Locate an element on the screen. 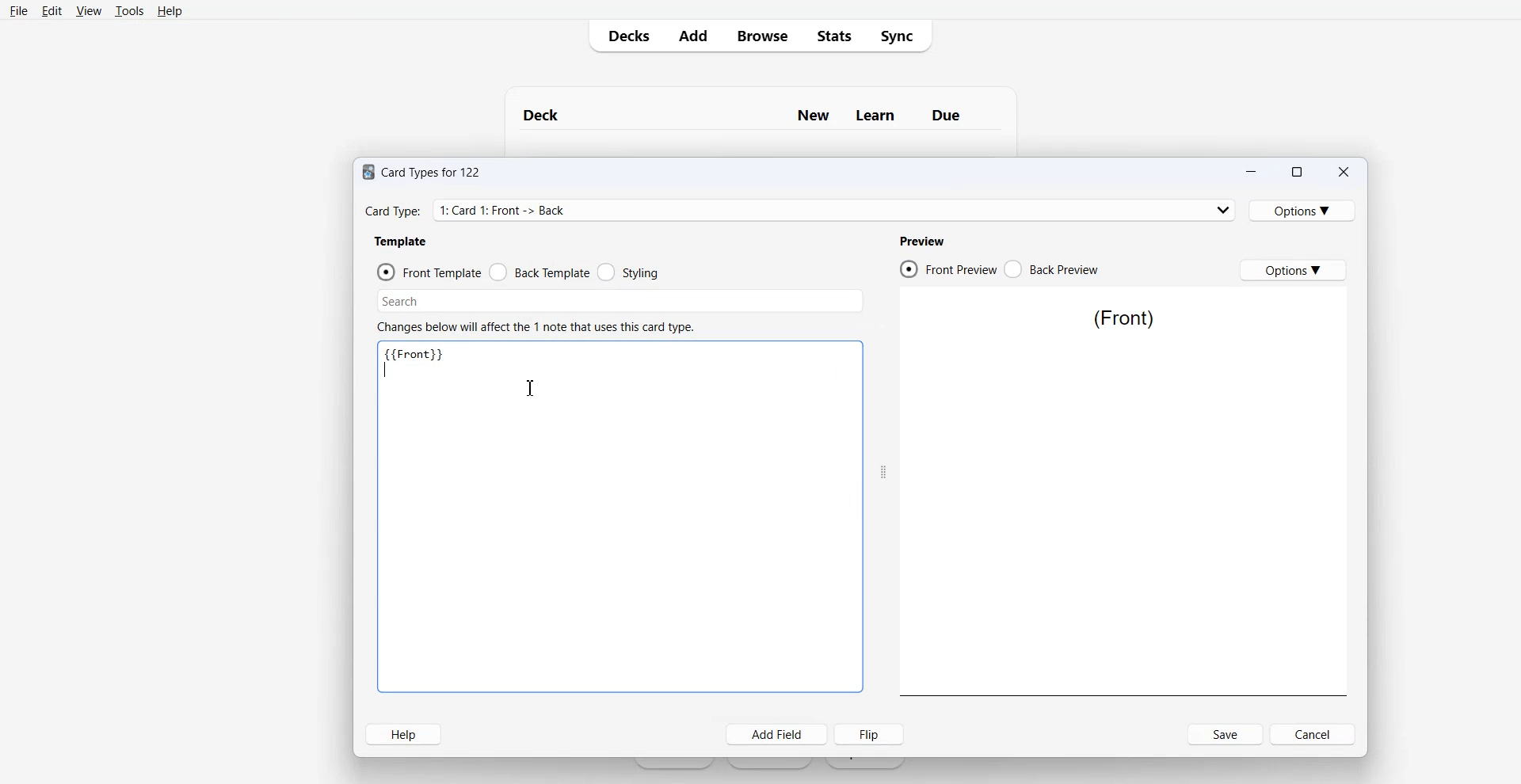  View is located at coordinates (89, 10).